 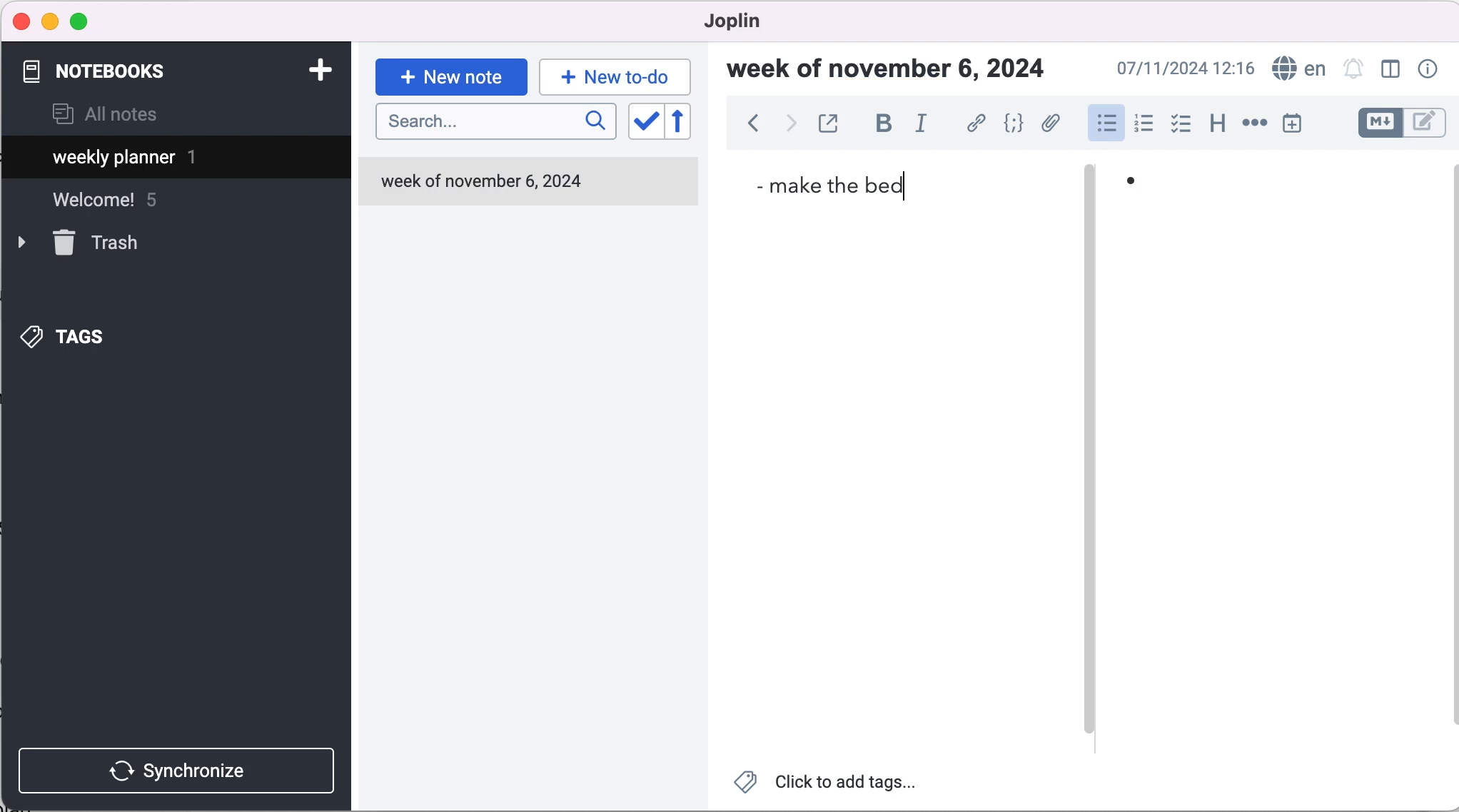 I want to click on checkbox, so click(x=1181, y=124).